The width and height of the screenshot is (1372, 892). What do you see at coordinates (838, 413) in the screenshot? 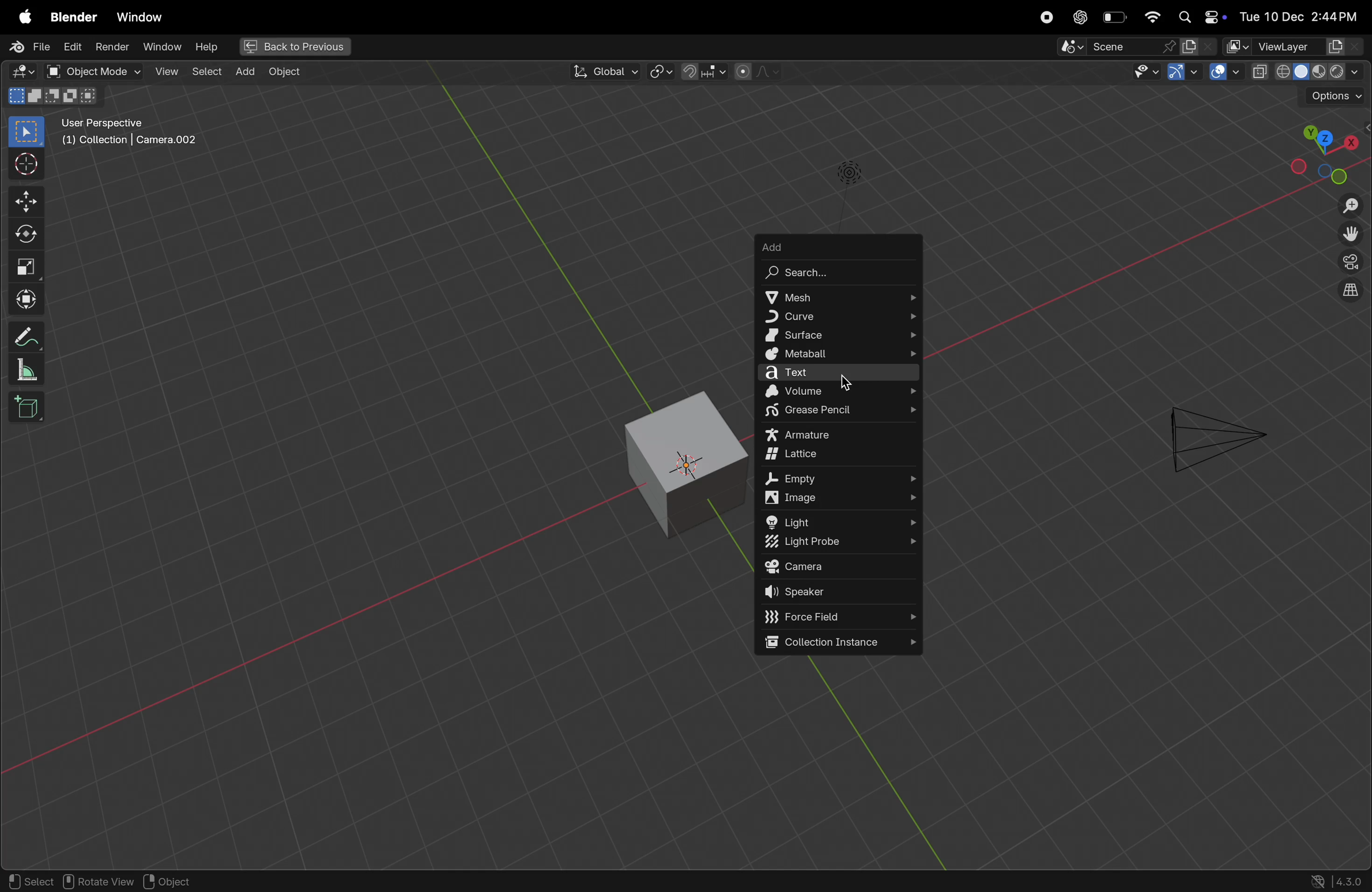
I see `Grease pencil` at bounding box center [838, 413].